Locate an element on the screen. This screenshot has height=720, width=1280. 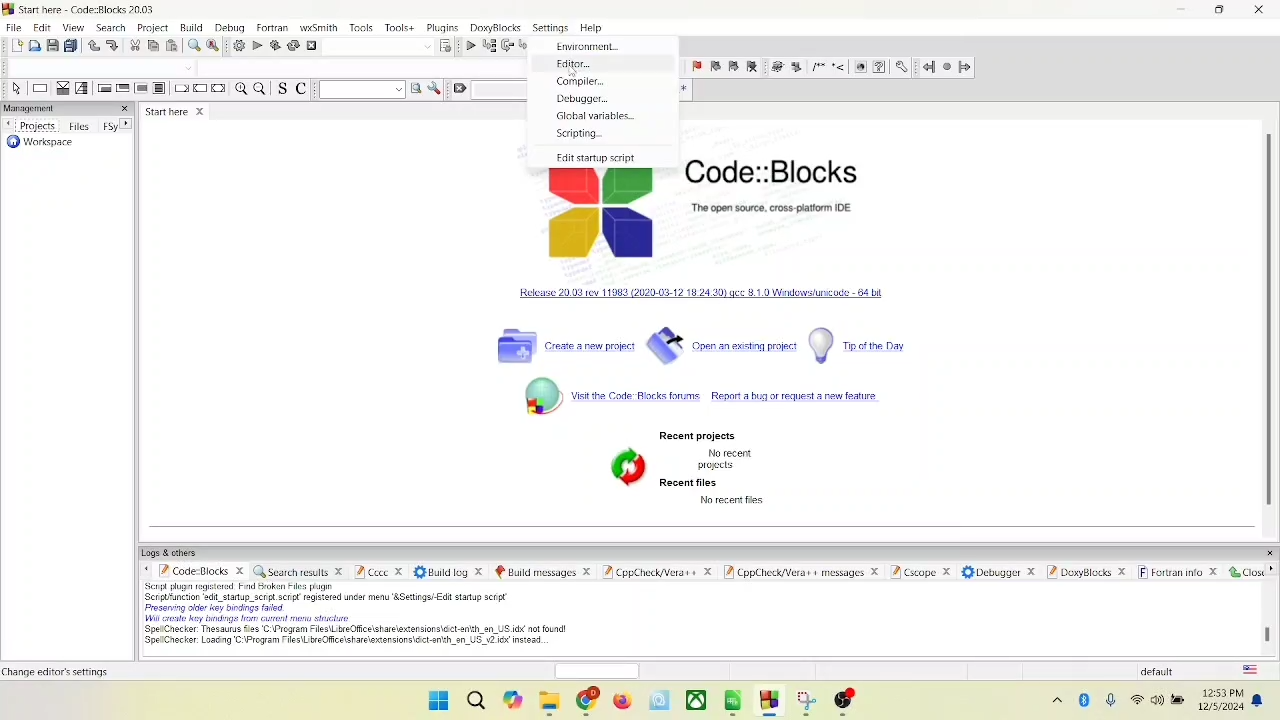
logs and others is located at coordinates (175, 553).